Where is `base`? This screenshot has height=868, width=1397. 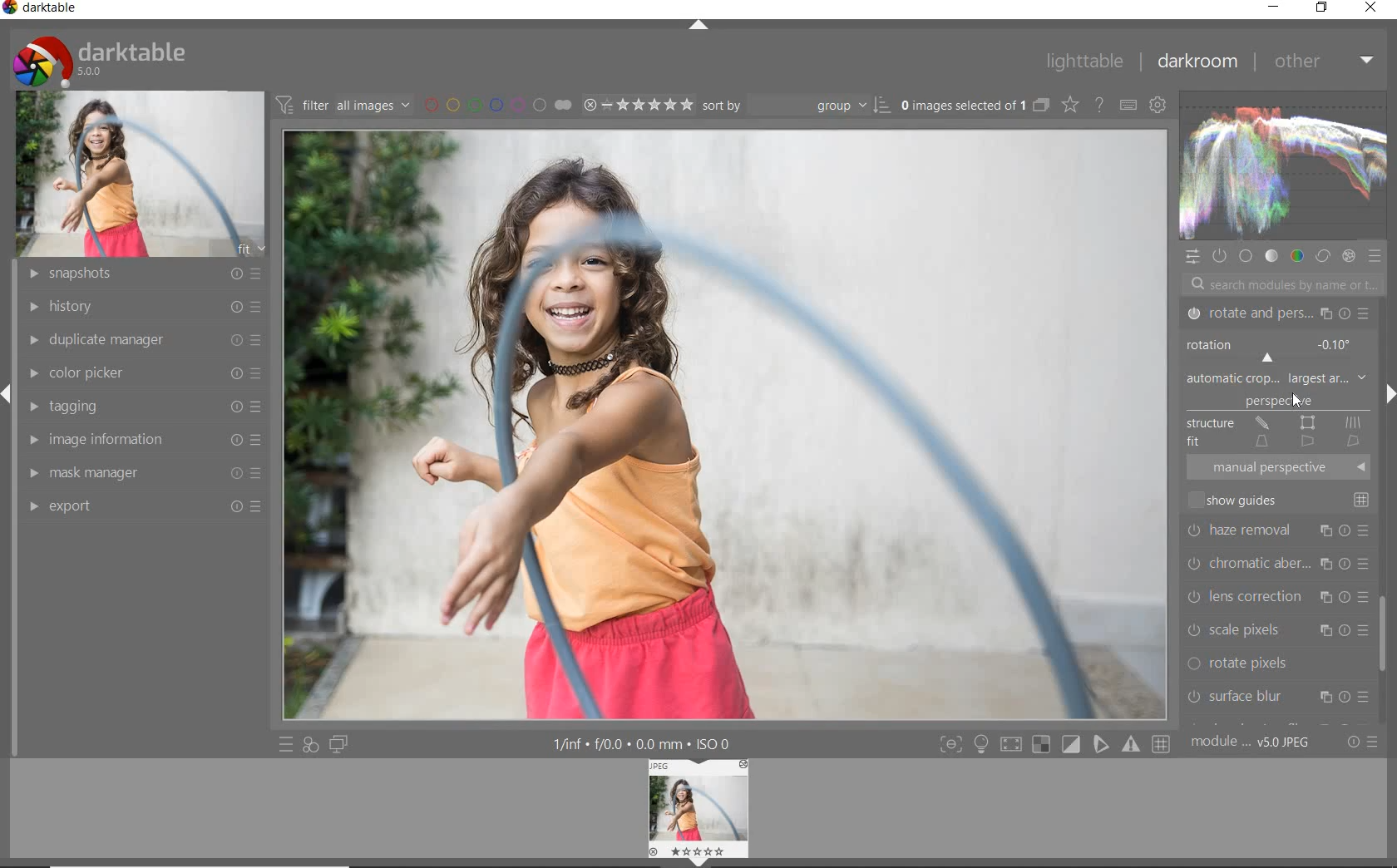
base is located at coordinates (1246, 257).